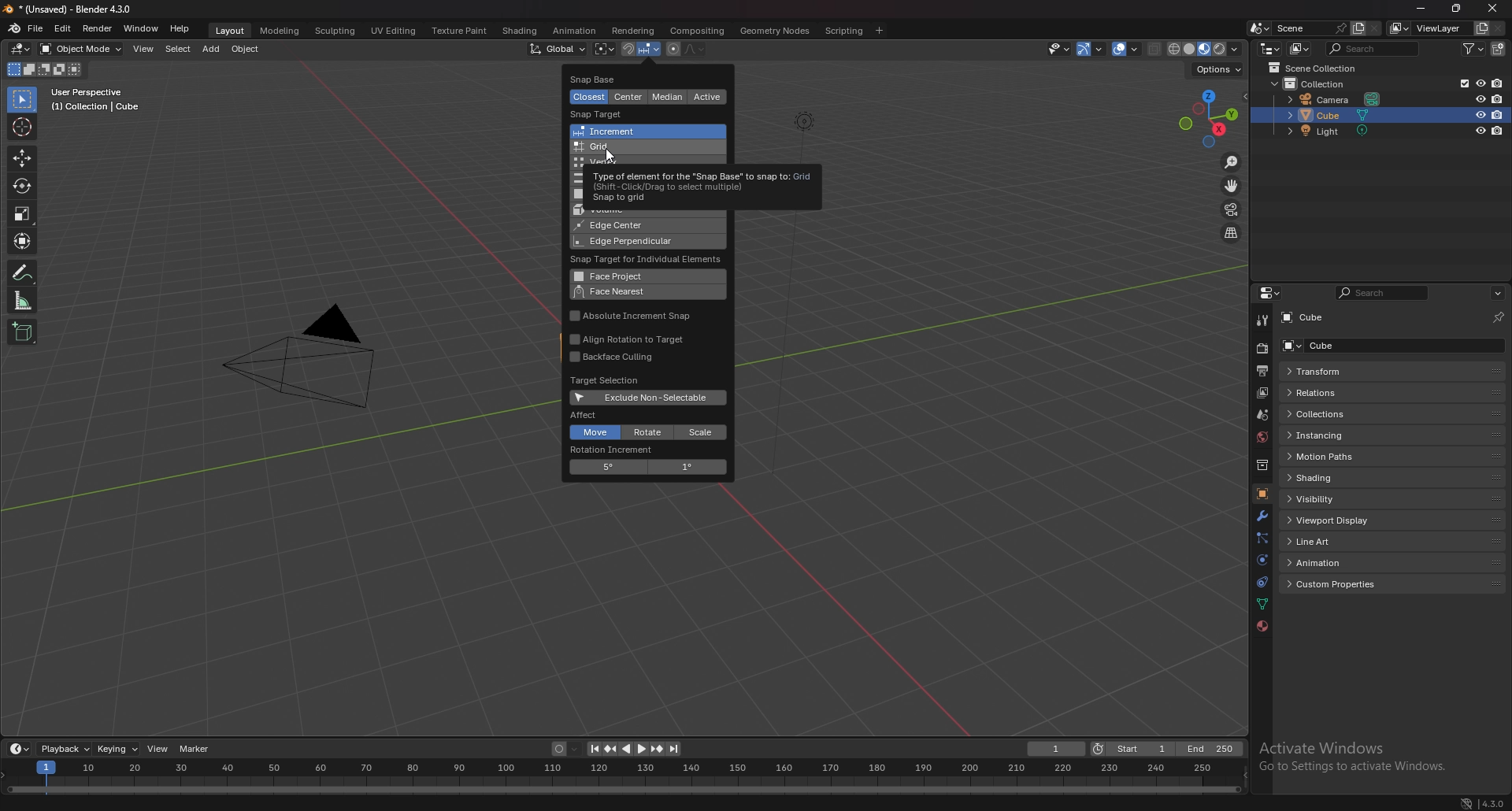 Image resolution: width=1512 pixels, height=811 pixels. What do you see at coordinates (1264, 603) in the screenshot?
I see `data` at bounding box center [1264, 603].